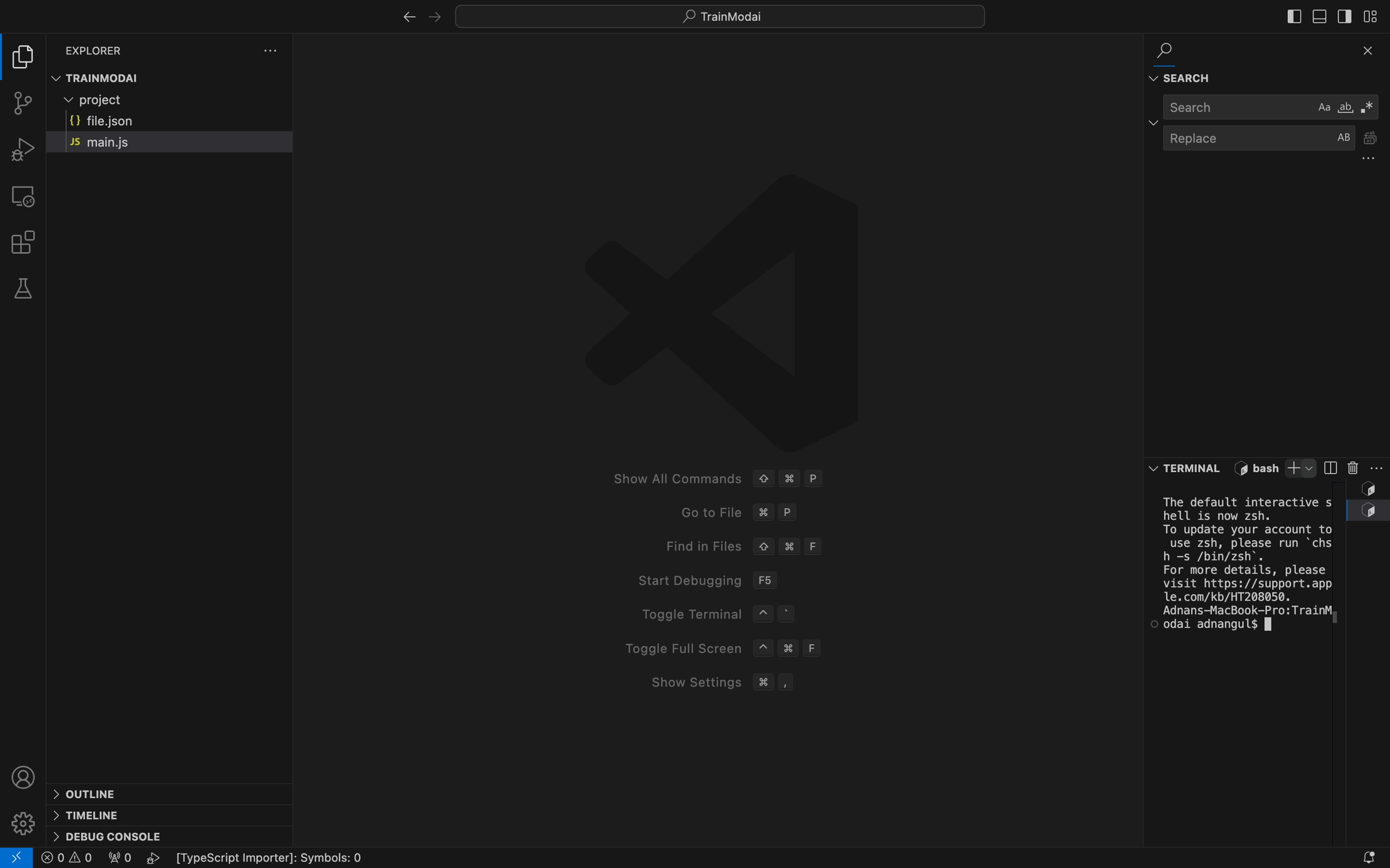 The width and height of the screenshot is (1390, 868). What do you see at coordinates (762, 478) in the screenshot?
I see `Show All Commands © # P
Goto File ¥# P
Find in Files © 3% F
Start Debugging F56
Toggle Terminal ~ °
Toggle Full Screen ~ # F
Show Settings # ,` at bounding box center [762, 478].